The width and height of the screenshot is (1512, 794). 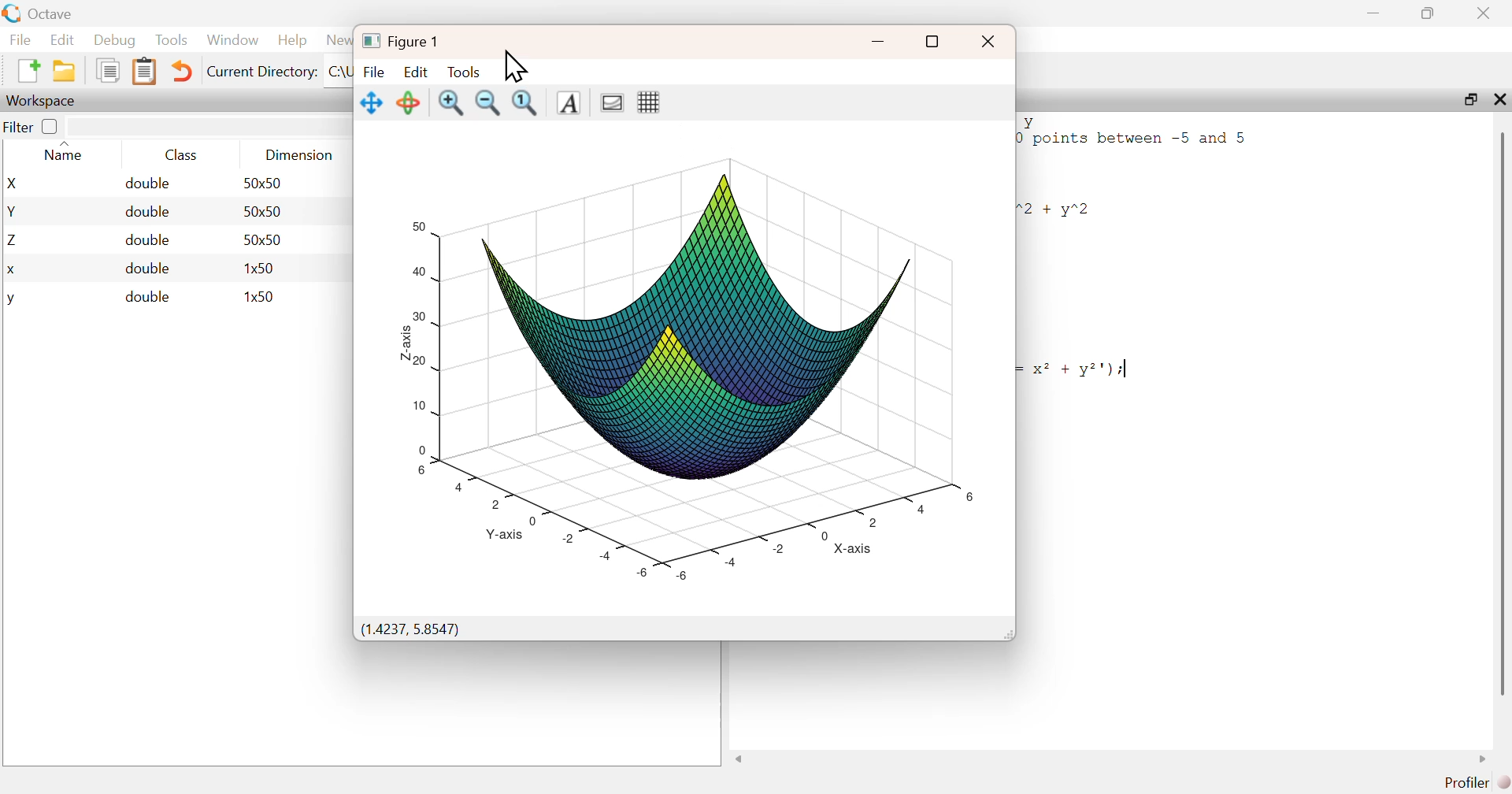 What do you see at coordinates (372, 103) in the screenshot?
I see `Move` at bounding box center [372, 103].